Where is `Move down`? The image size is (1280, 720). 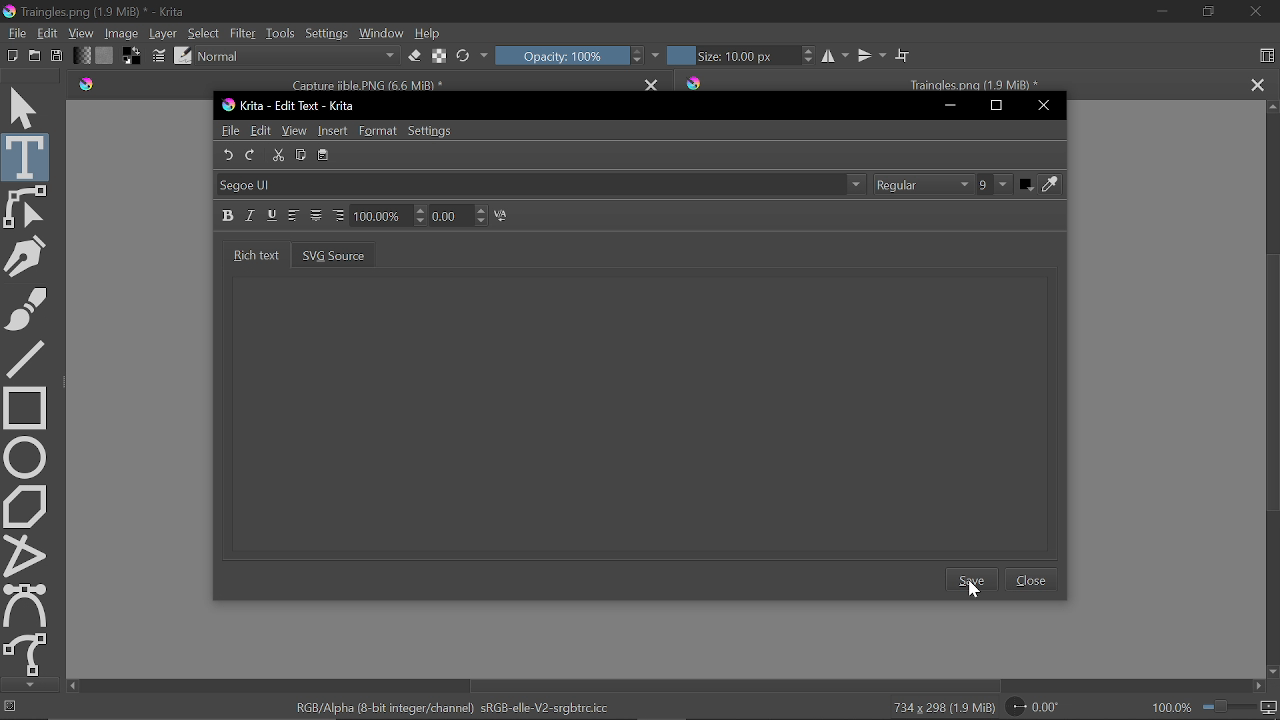
Move down is located at coordinates (1272, 671).